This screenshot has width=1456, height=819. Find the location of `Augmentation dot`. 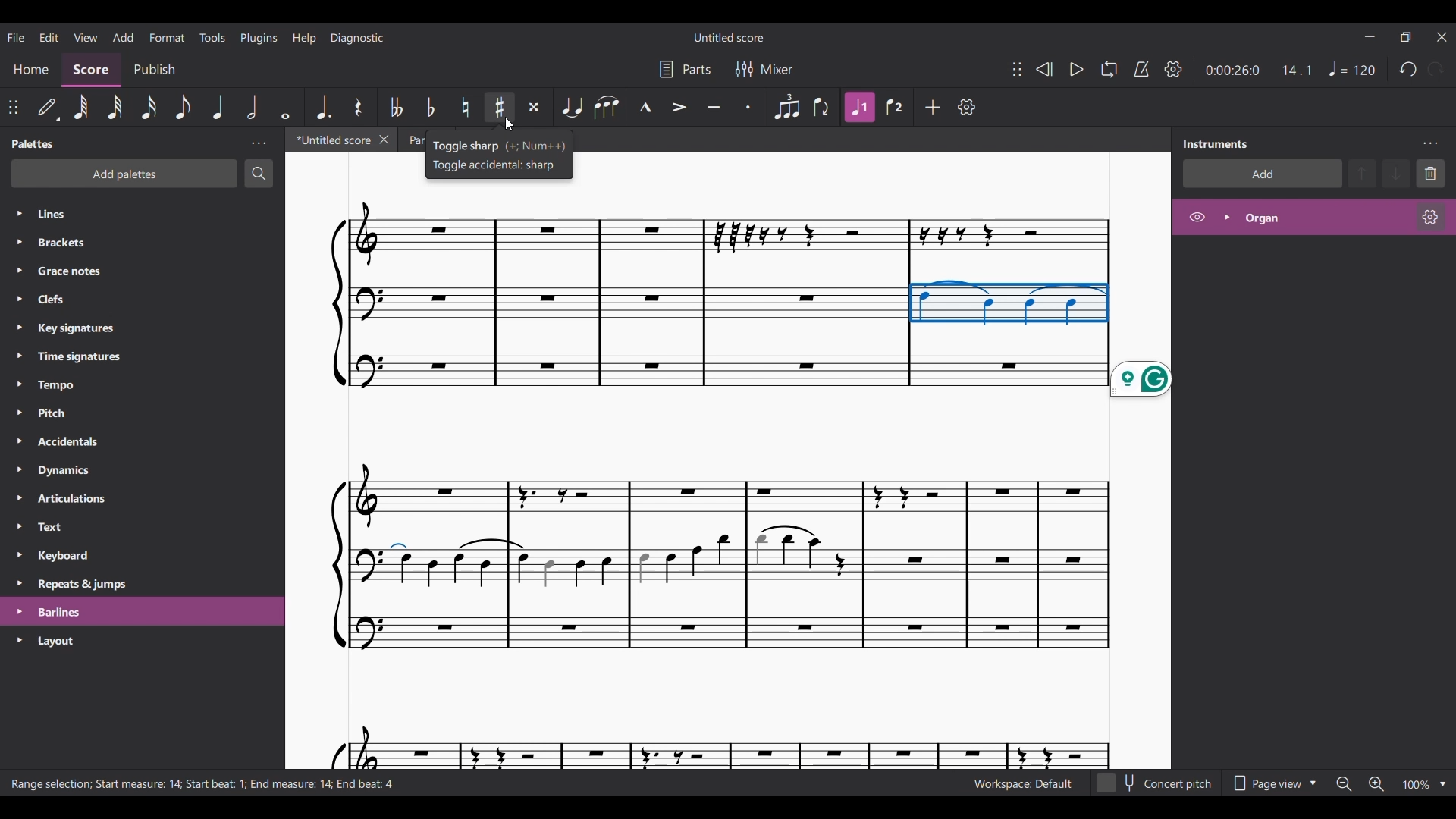

Augmentation dot is located at coordinates (323, 106).